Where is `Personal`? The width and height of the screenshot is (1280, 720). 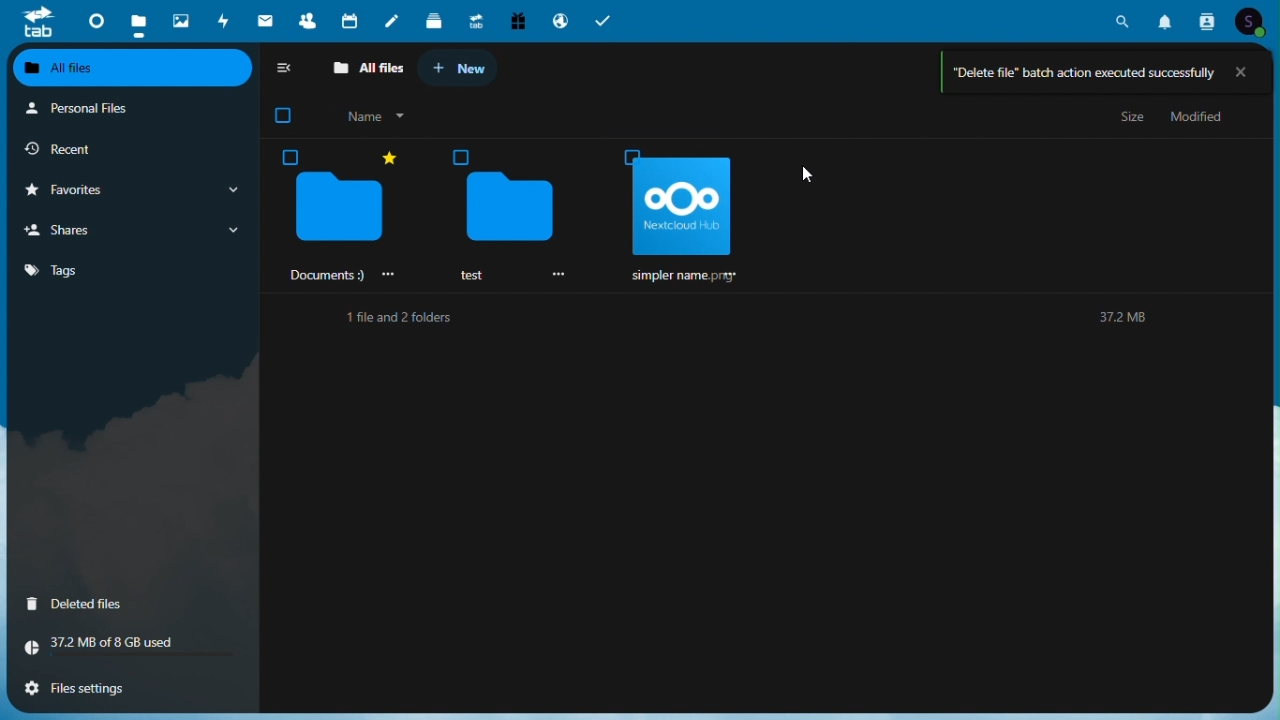
Personal is located at coordinates (127, 112).